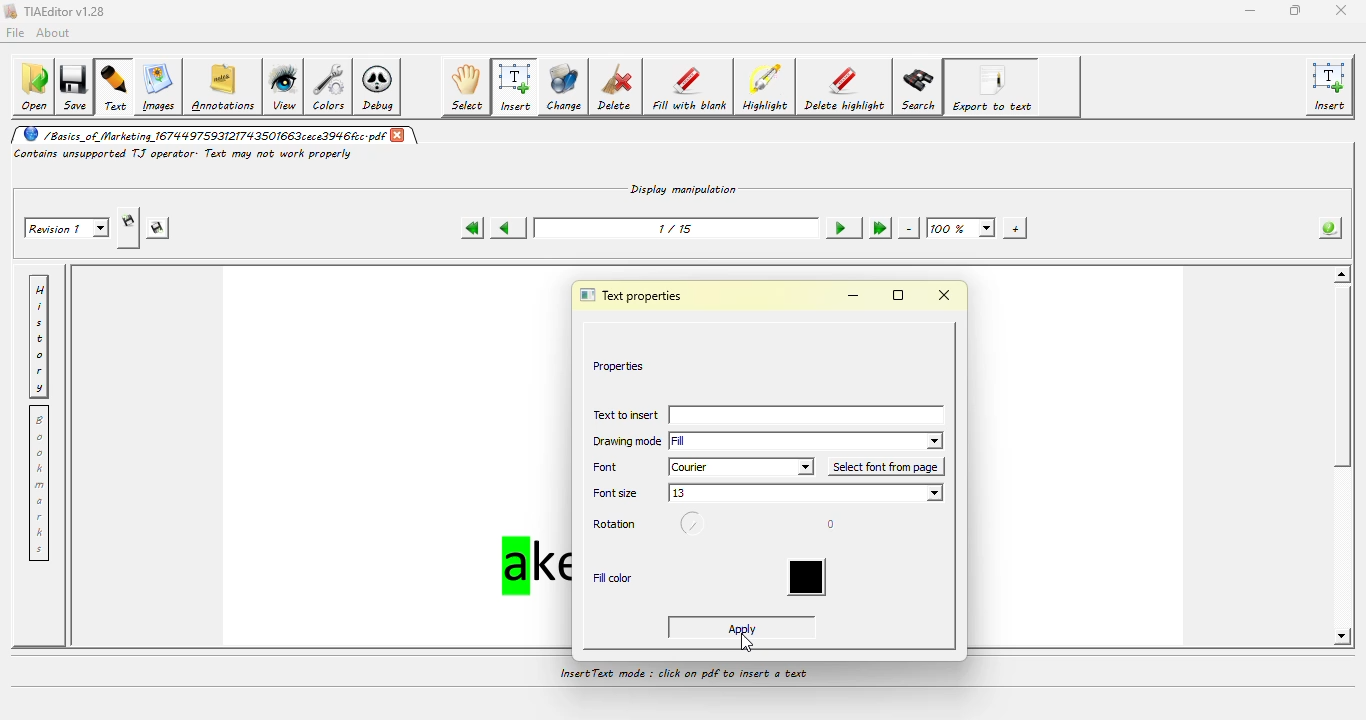 The width and height of the screenshot is (1366, 720). Describe the element at coordinates (332, 88) in the screenshot. I see `colors` at that location.